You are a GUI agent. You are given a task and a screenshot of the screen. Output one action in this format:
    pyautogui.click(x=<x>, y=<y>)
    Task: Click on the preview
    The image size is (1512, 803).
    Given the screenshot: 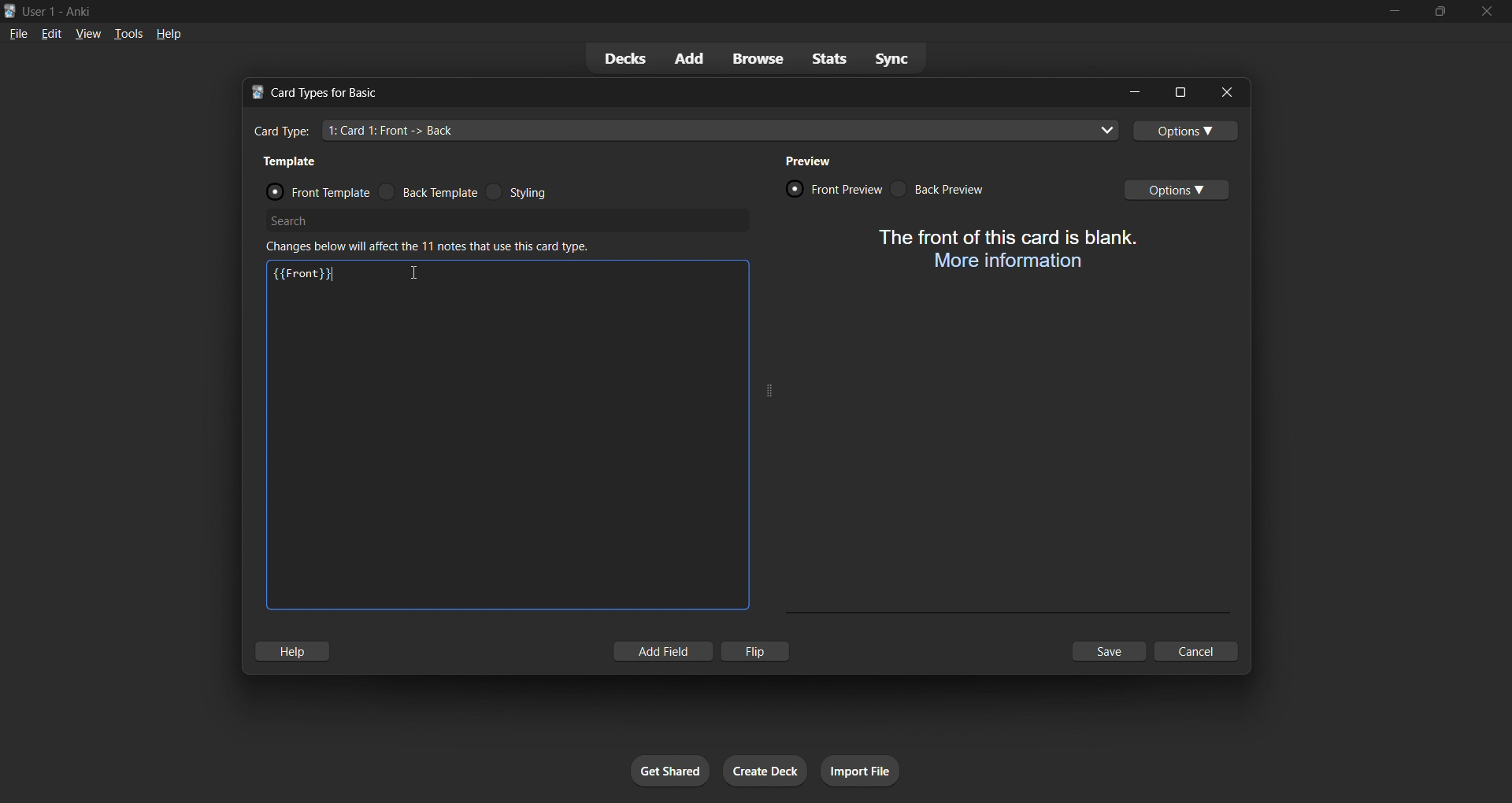 What is the action you would take?
    pyautogui.click(x=807, y=160)
    